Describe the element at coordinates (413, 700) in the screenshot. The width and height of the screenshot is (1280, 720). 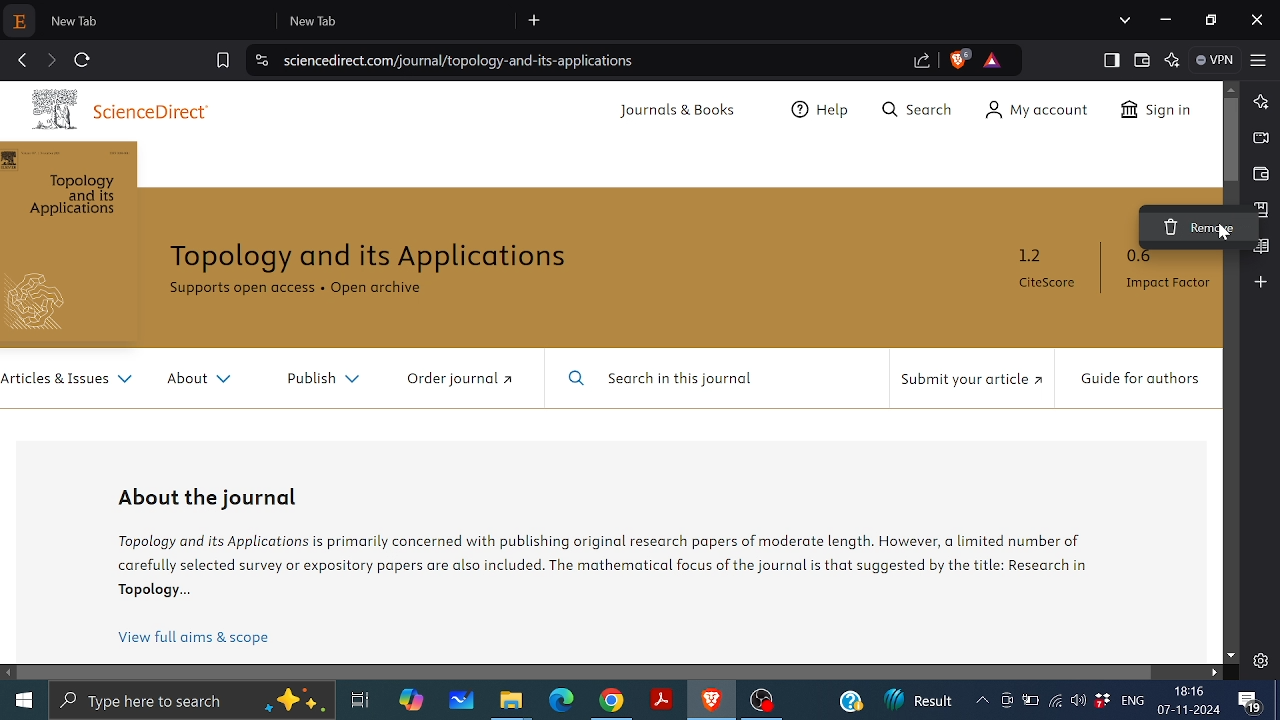
I see `Copilot` at that location.